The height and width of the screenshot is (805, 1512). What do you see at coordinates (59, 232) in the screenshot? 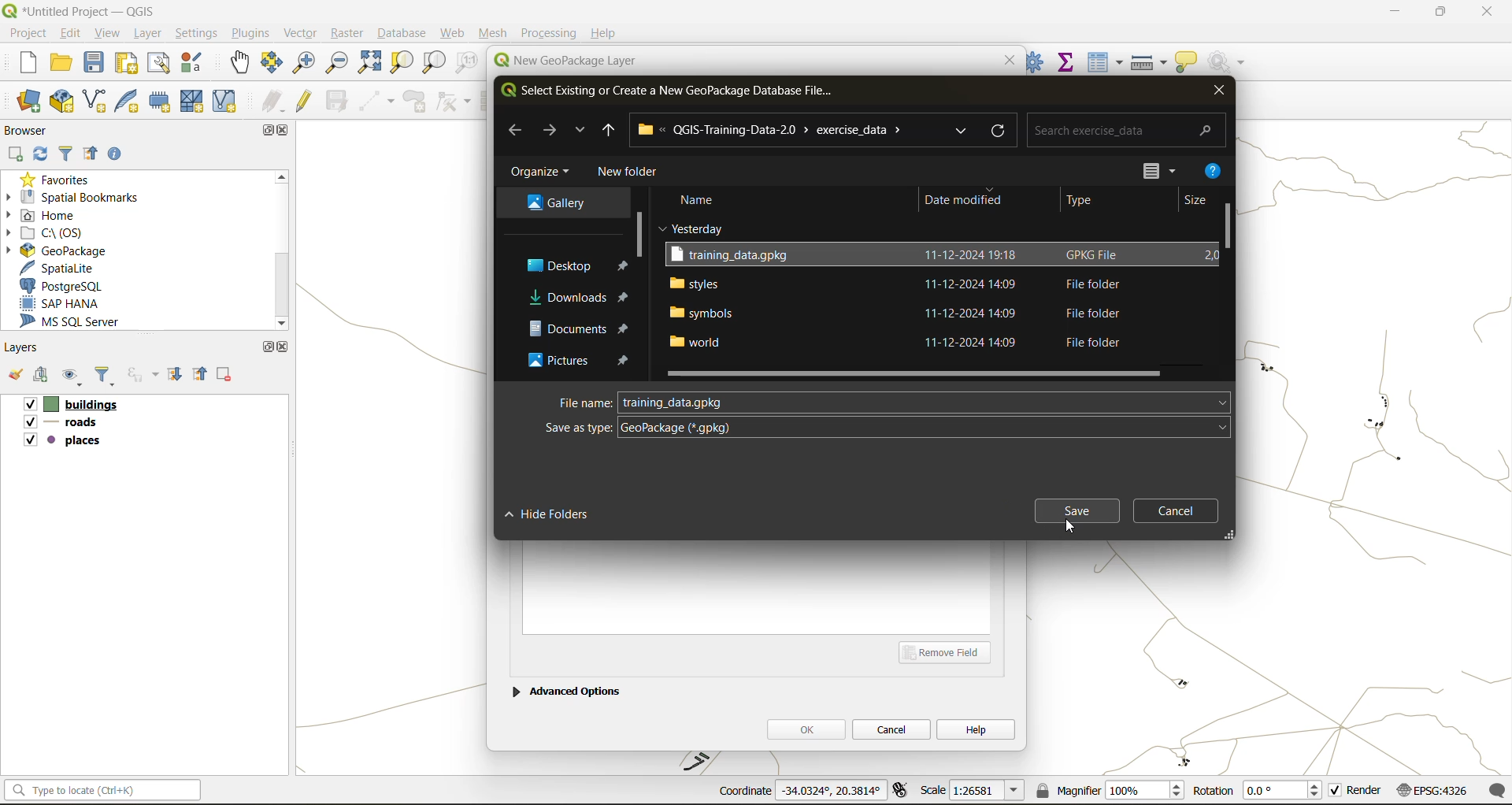
I see `c\:os` at bounding box center [59, 232].